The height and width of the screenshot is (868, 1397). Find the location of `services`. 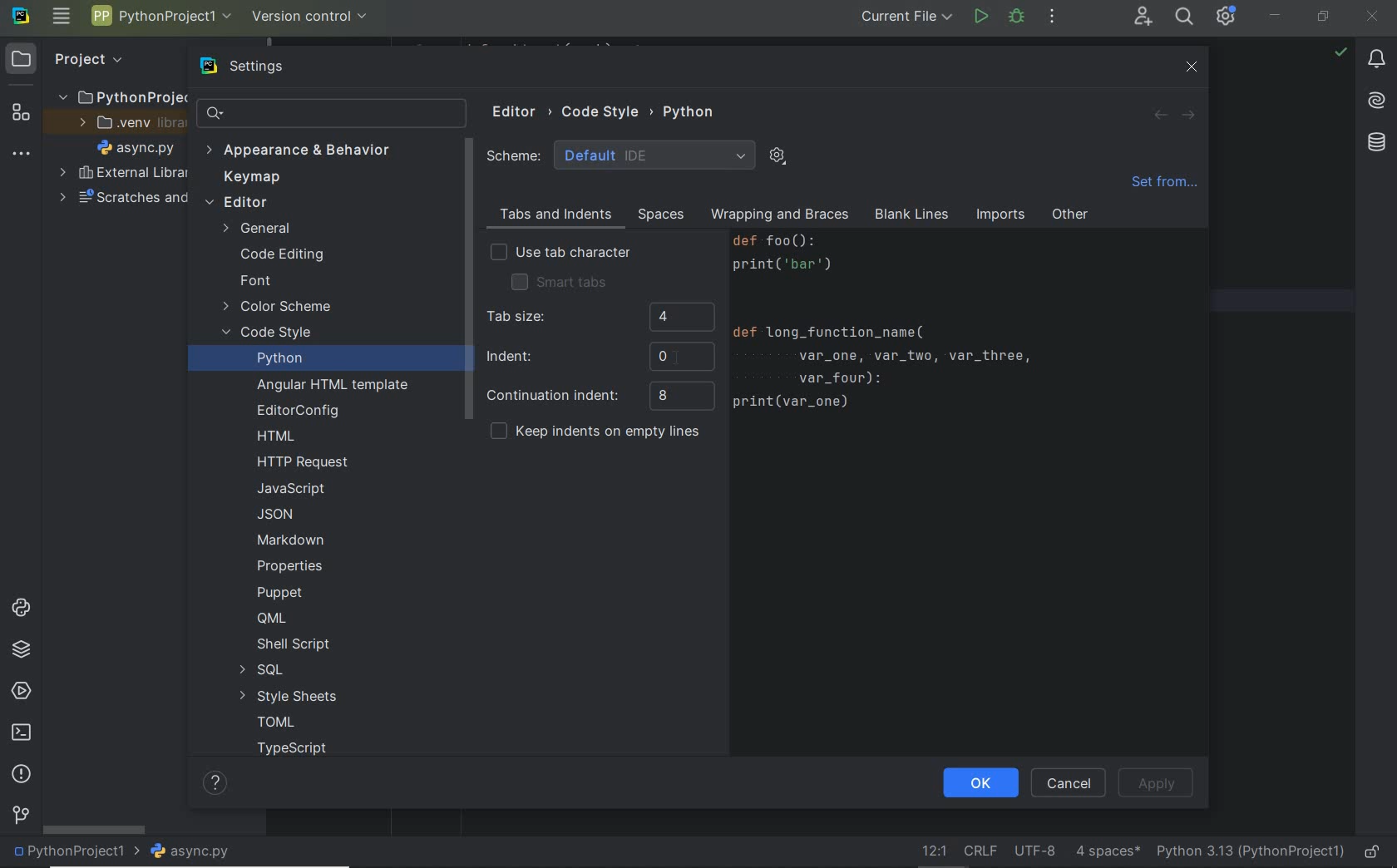

services is located at coordinates (20, 689).